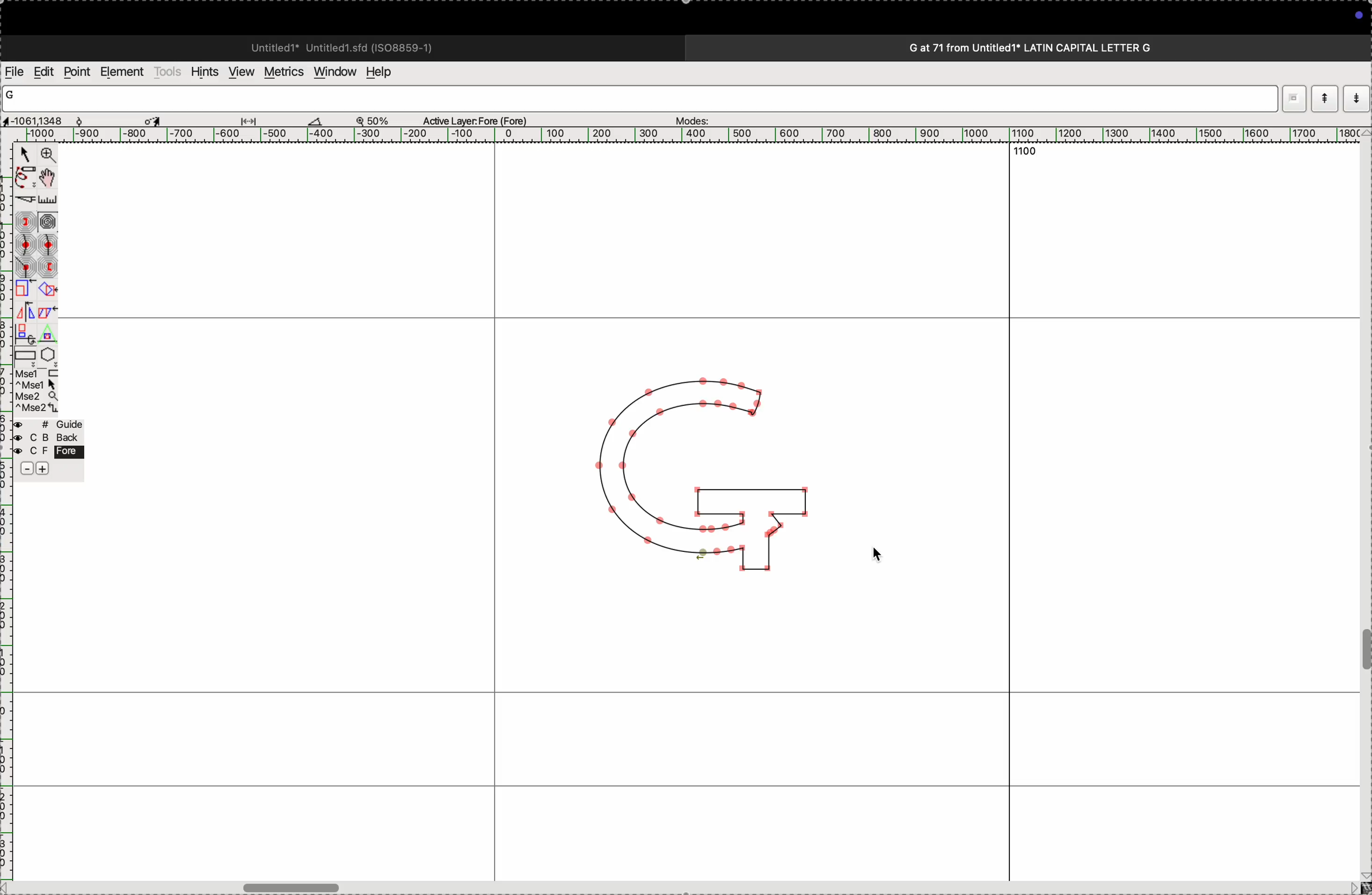 This screenshot has height=895, width=1372. What do you see at coordinates (125, 72) in the screenshot?
I see `elements` at bounding box center [125, 72].